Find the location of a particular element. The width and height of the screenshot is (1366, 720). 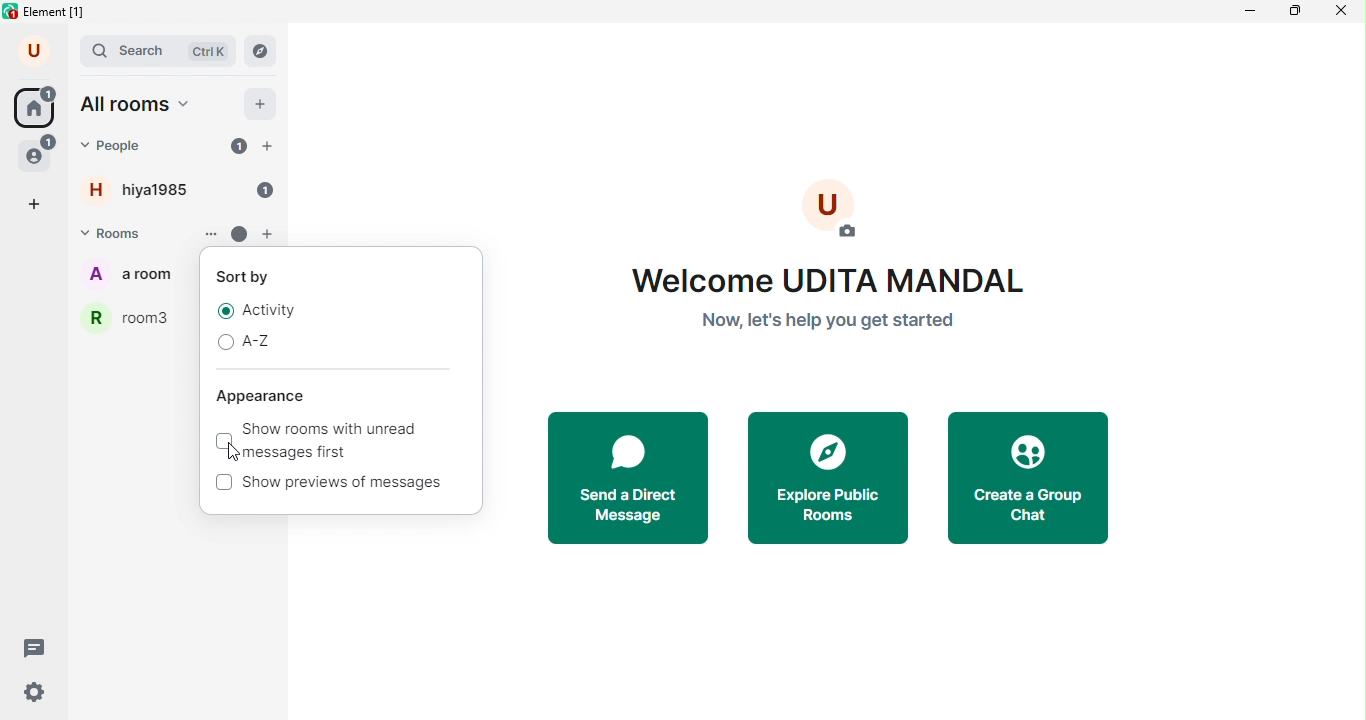

add is located at coordinates (262, 104).